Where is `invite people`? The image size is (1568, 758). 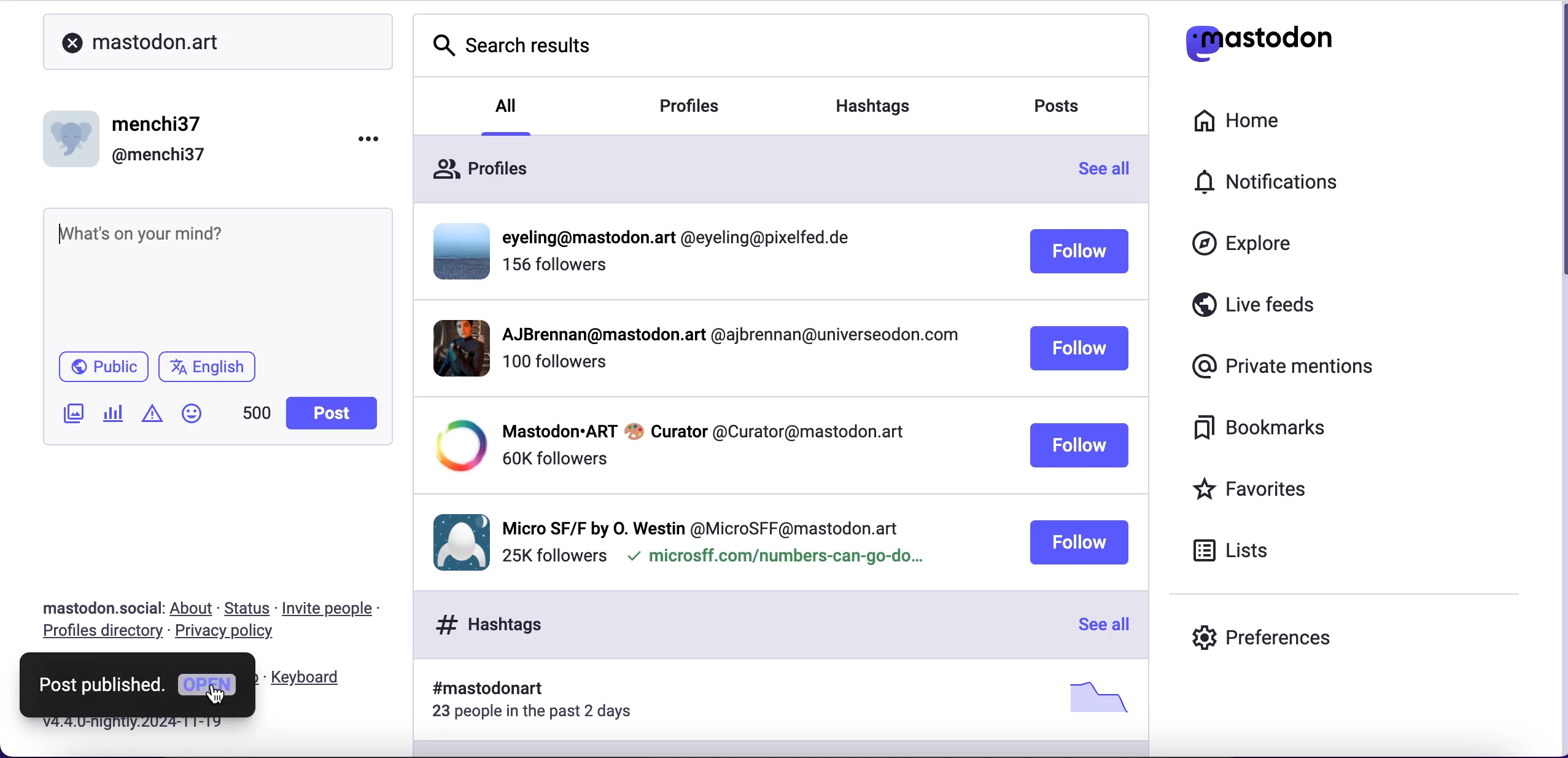 invite people is located at coordinates (335, 609).